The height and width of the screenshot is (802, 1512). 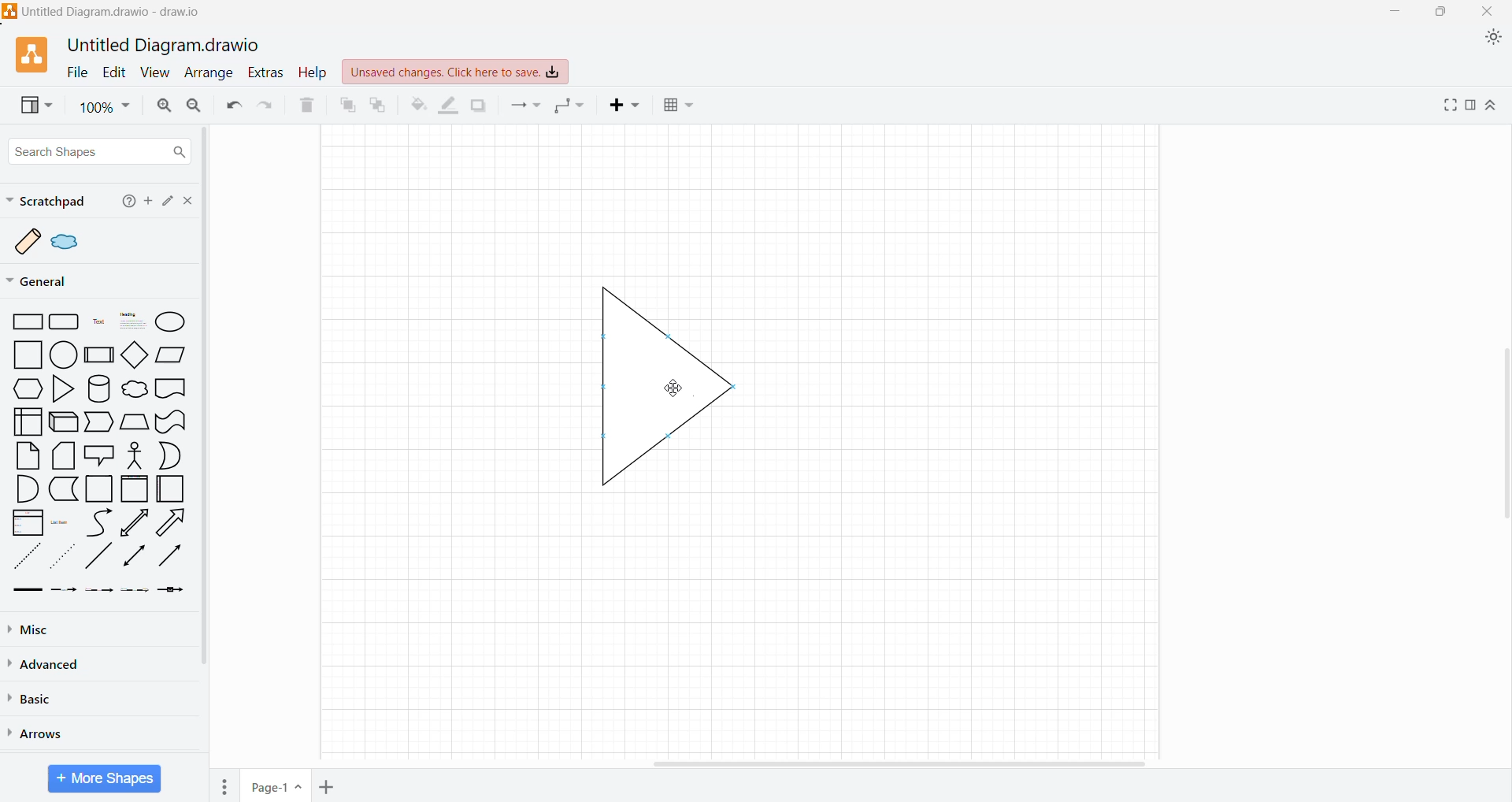 What do you see at coordinates (164, 46) in the screenshot?
I see `Untitled Diagram.draw.io` at bounding box center [164, 46].